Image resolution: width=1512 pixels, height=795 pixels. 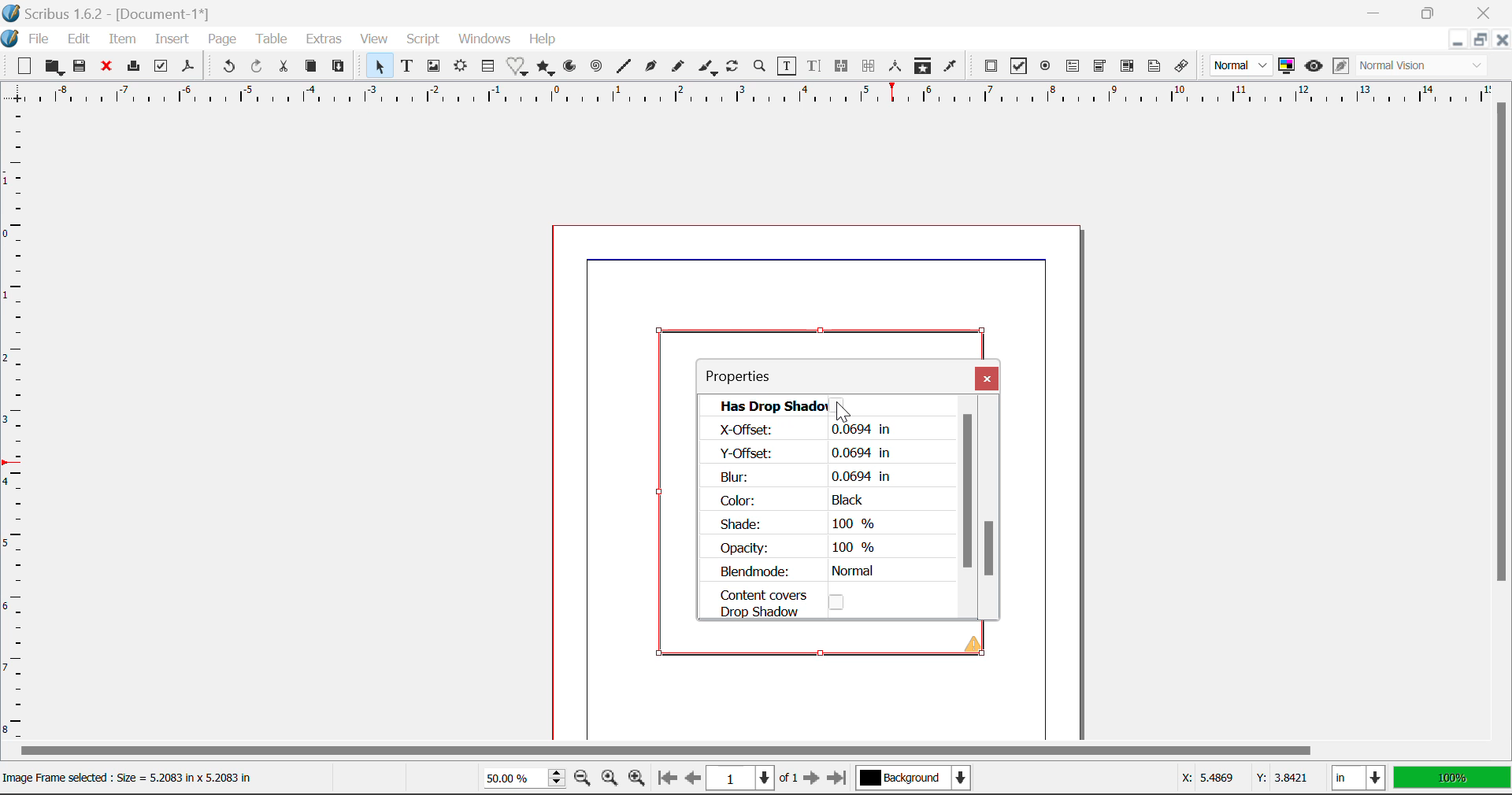 What do you see at coordinates (680, 70) in the screenshot?
I see `Freehand Line` at bounding box center [680, 70].